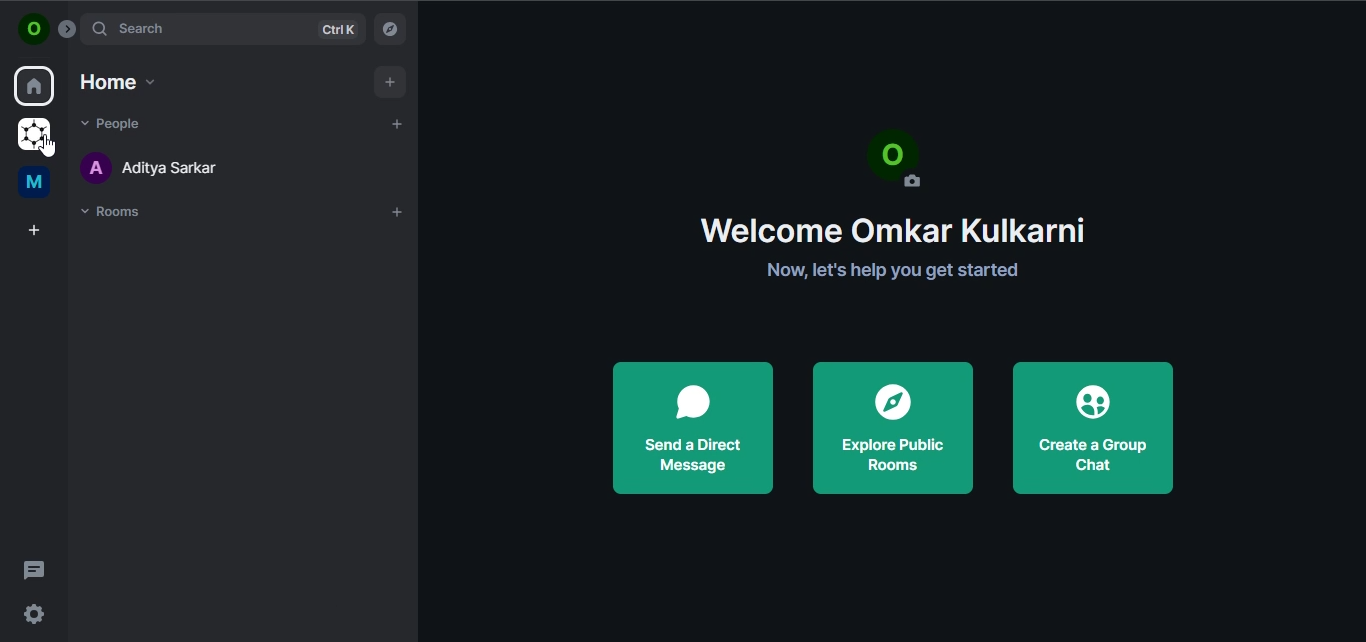  What do you see at coordinates (904, 155) in the screenshot?
I see `profile` at bounding box center [904, 155].